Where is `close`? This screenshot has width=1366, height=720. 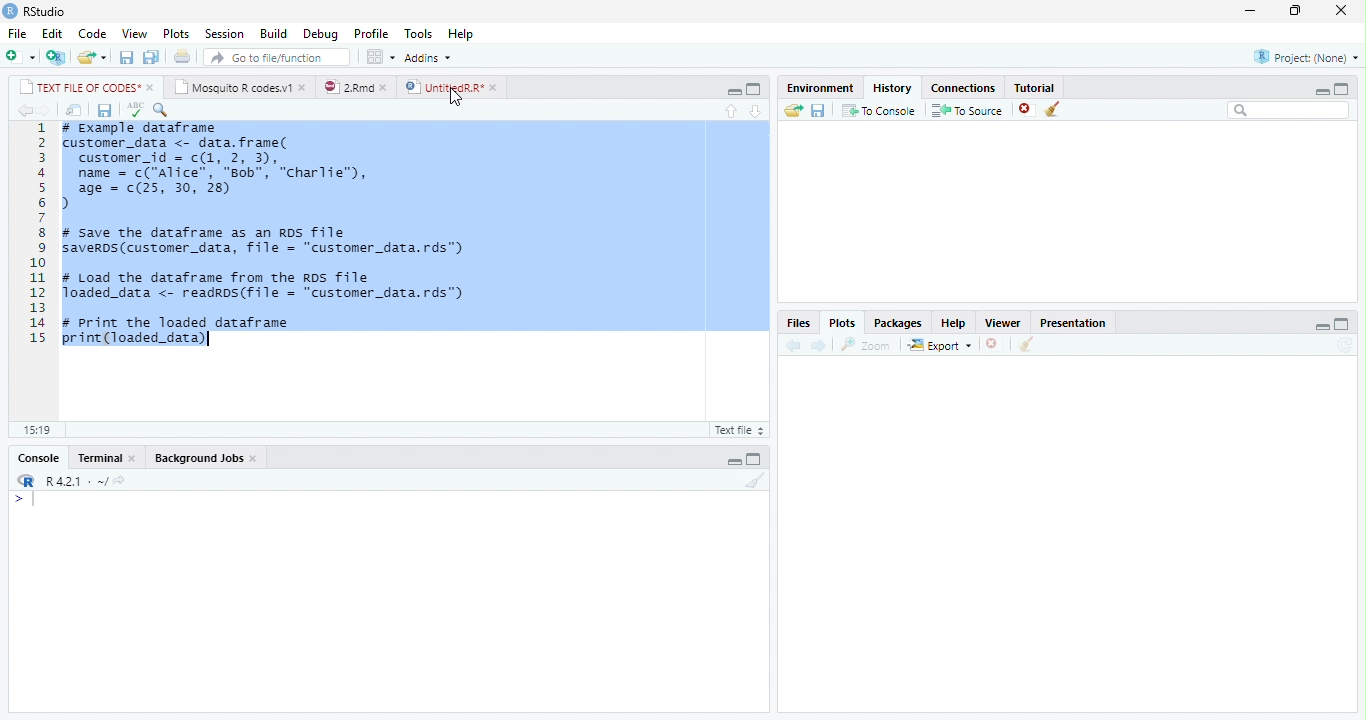
close is located at coordinates (256, 459).